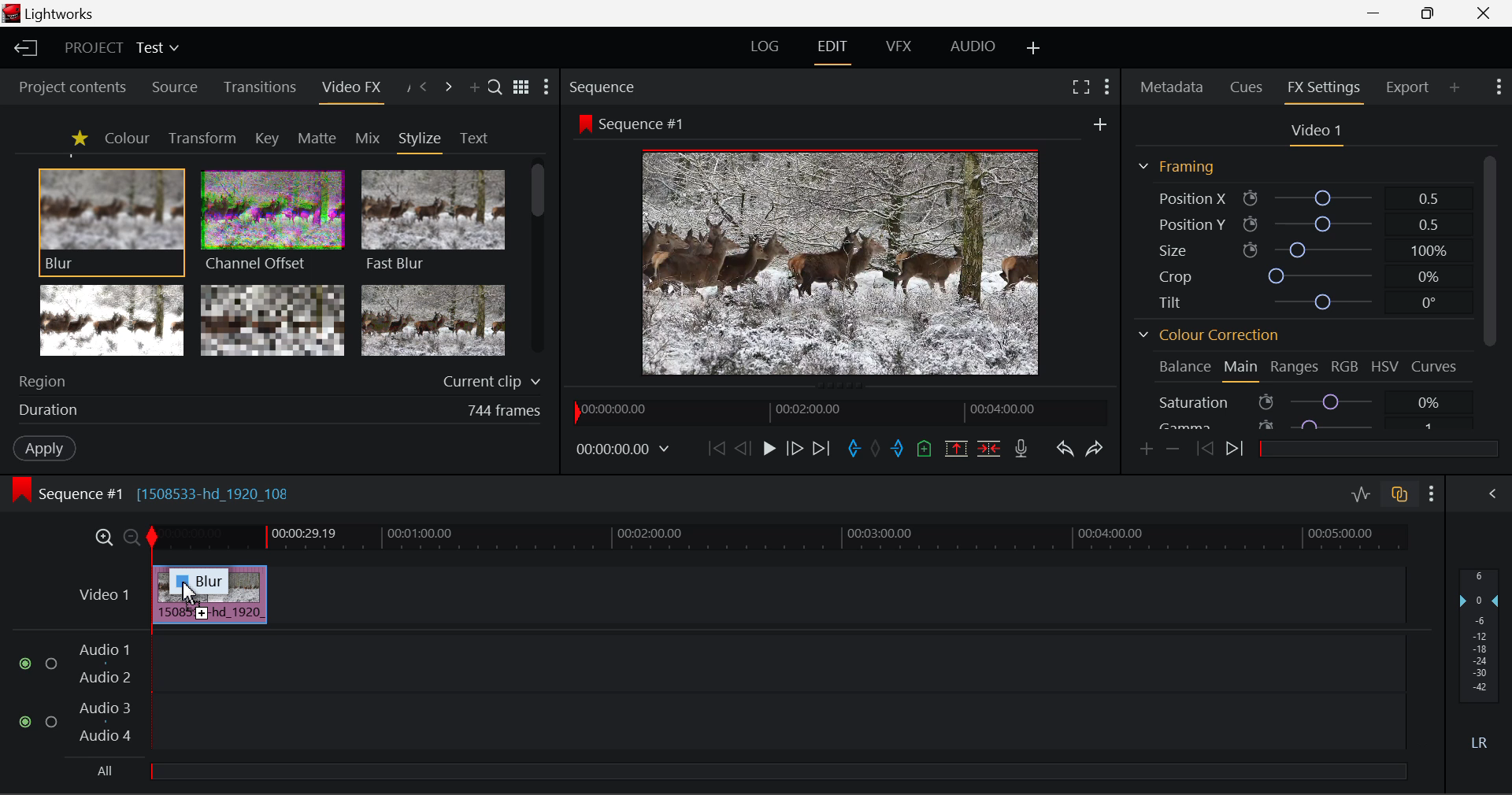 The width and height of the screenshot is (1512, 795). I want to click on VFX Layout, so click(899, 49).